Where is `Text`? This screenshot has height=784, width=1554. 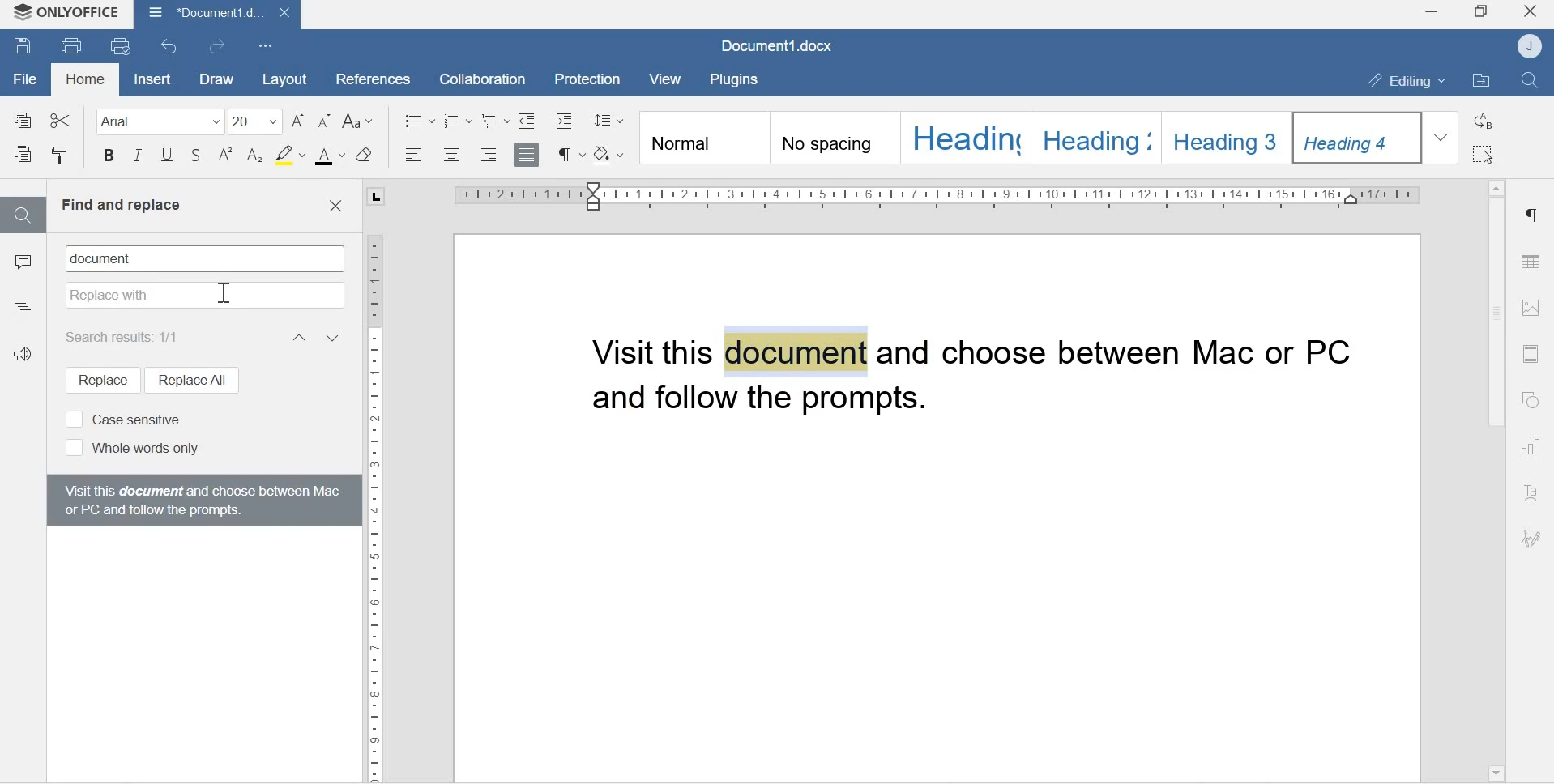 Text is located at coordinates (1533, 494).